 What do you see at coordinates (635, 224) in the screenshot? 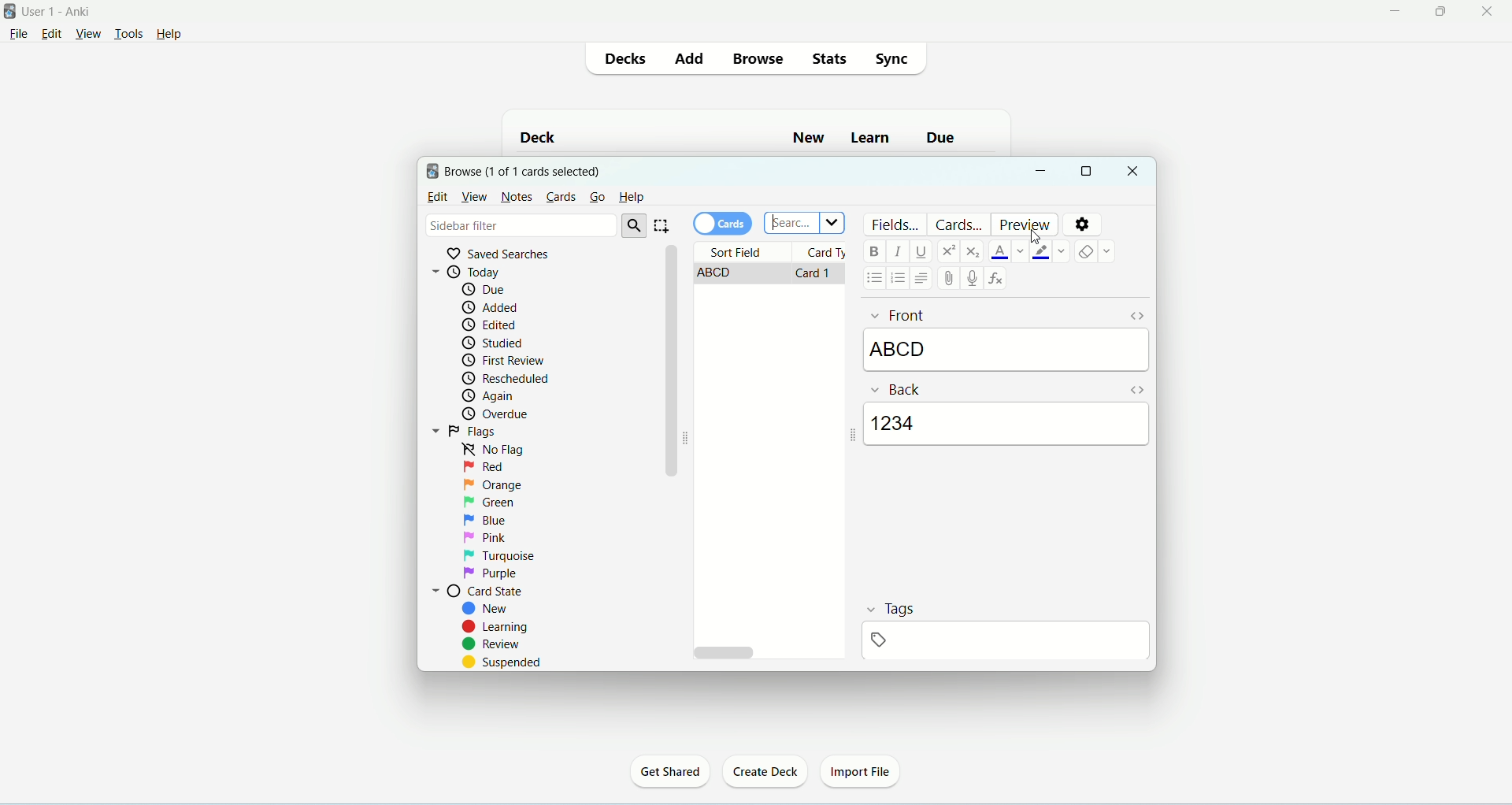
I see `search` at bounding box center [635, 224].